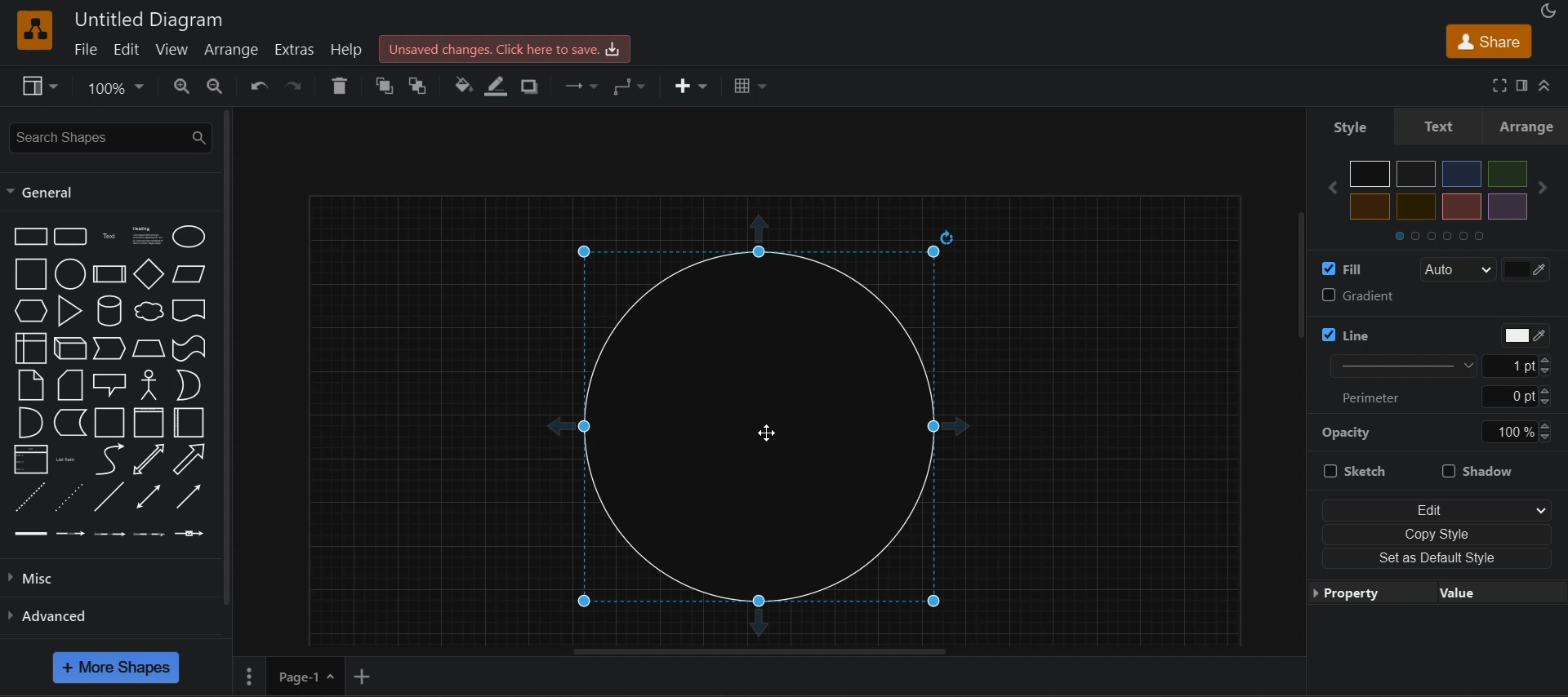  What do you see at coordinates (1440, 298) in the screenshot?
I see `gradient` at bounding box center [1440, 298].